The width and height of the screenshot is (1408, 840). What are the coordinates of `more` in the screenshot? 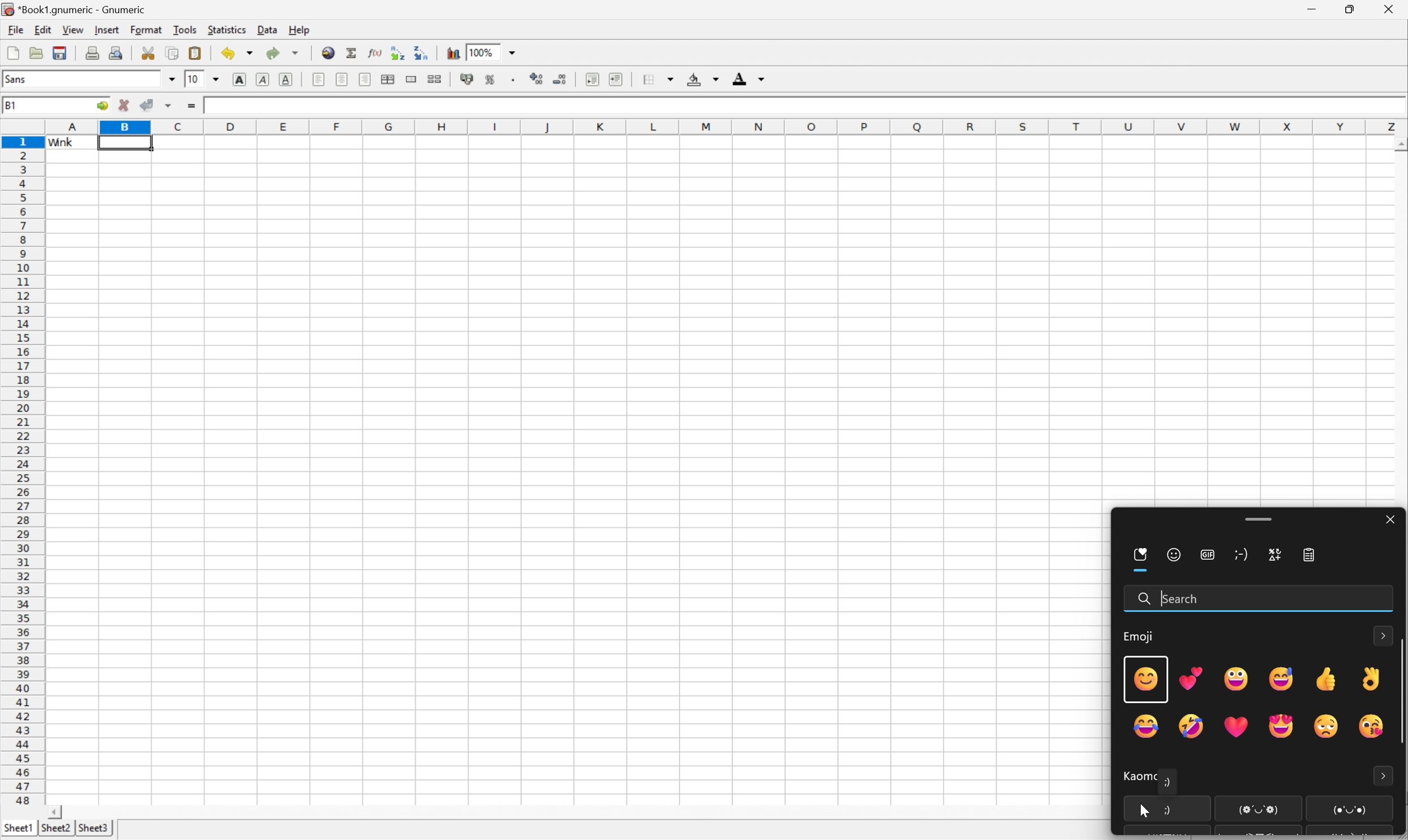 It's located at (1384, 774).